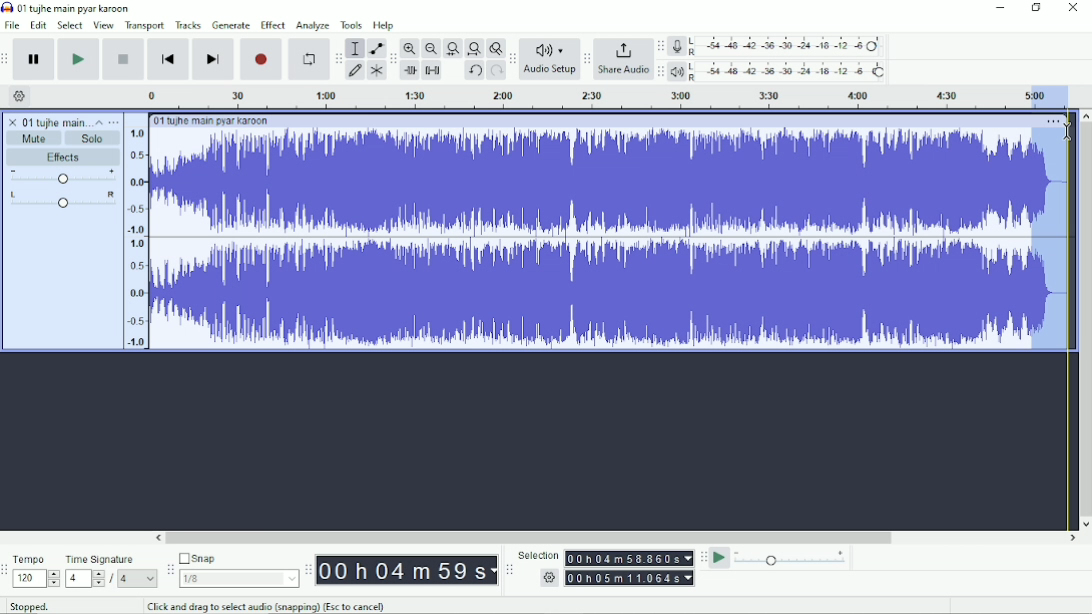 This screenshot has width=1092, height=614. Describe the element at coordinates (11, 121) in the screenshot. I see `close` at that location.